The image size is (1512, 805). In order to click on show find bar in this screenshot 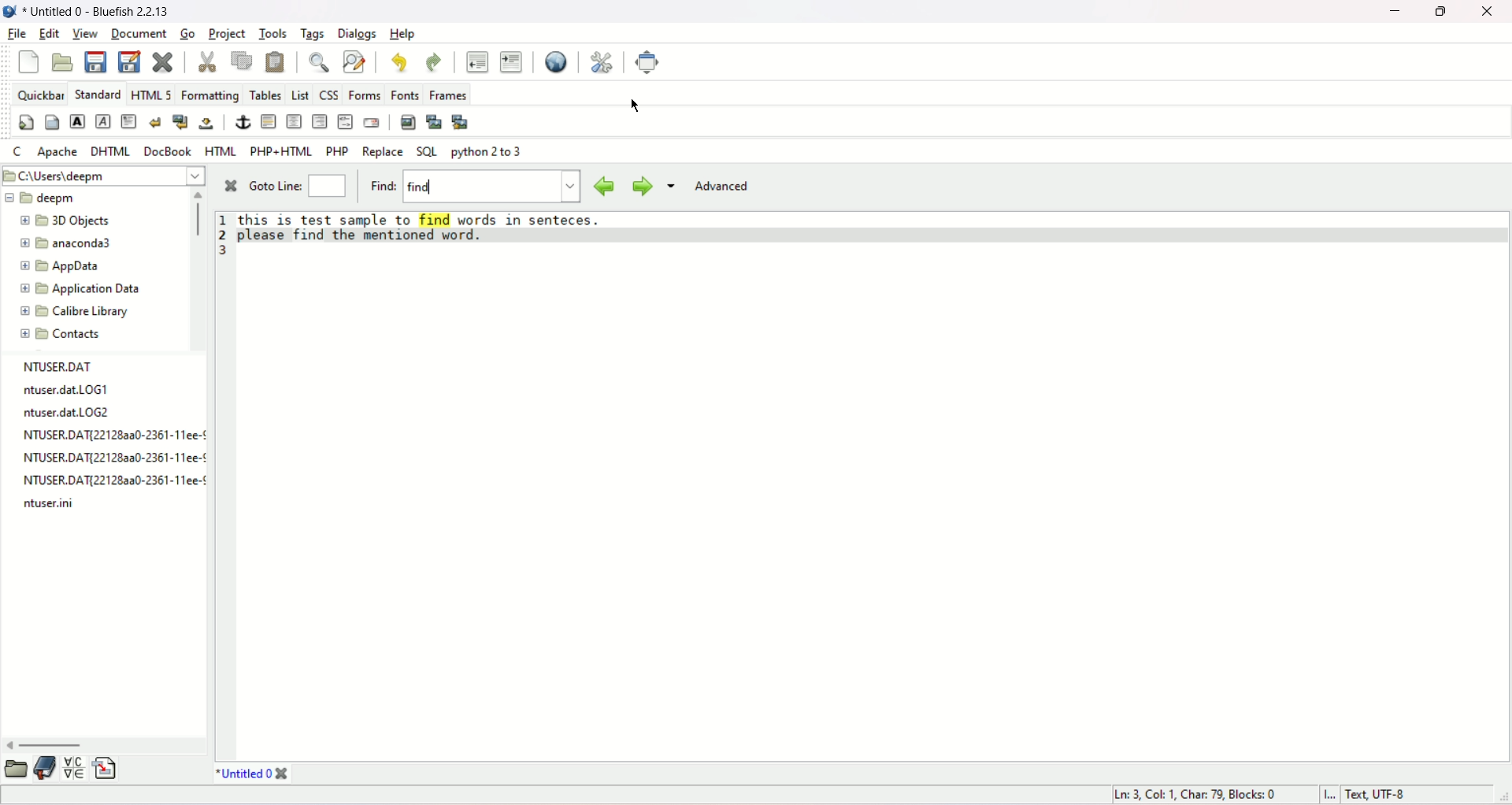, I will do `click(319, 61)`.